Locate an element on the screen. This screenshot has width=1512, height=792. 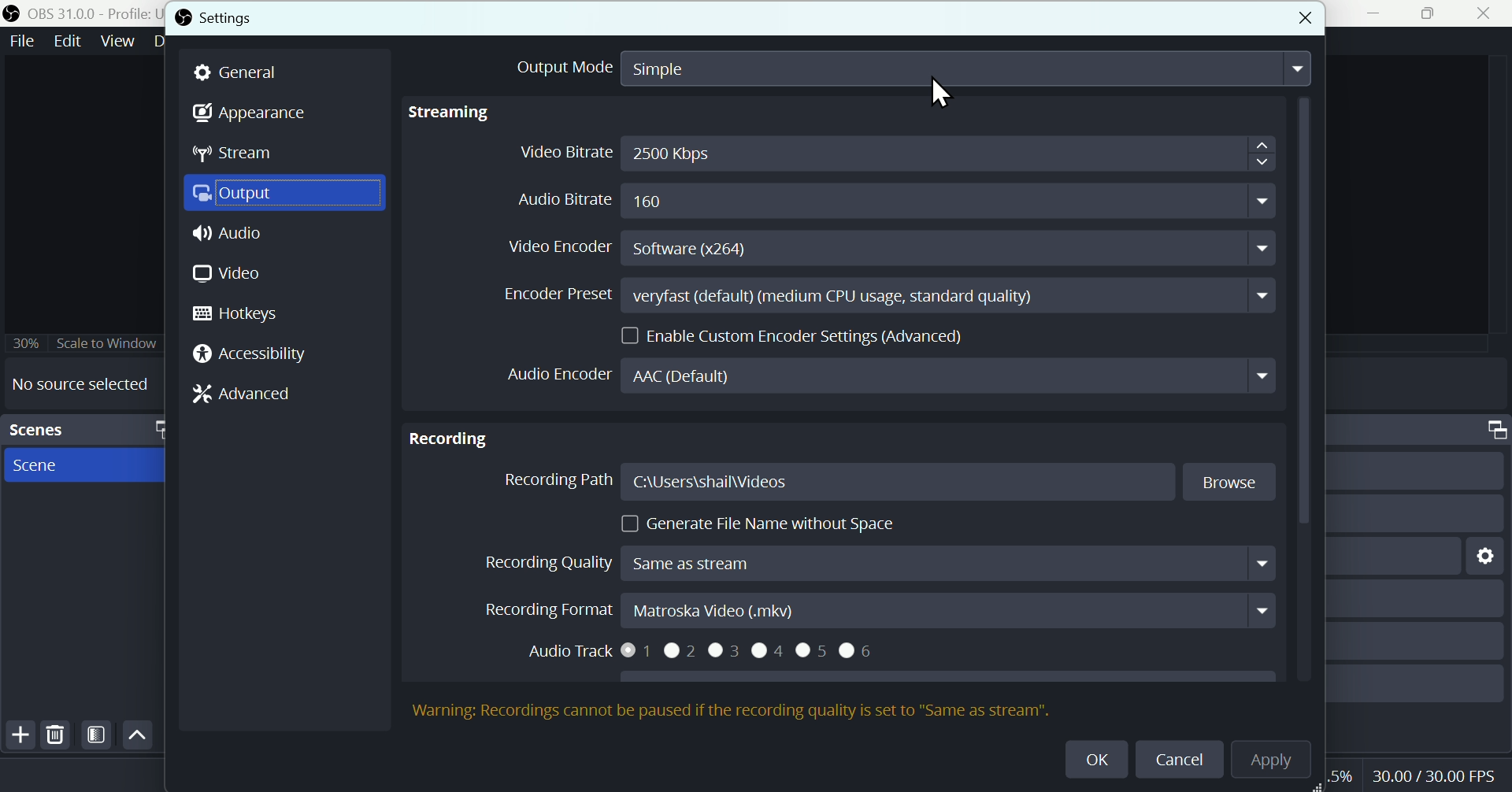
Audio encoder is located at coordinates (879, 377).